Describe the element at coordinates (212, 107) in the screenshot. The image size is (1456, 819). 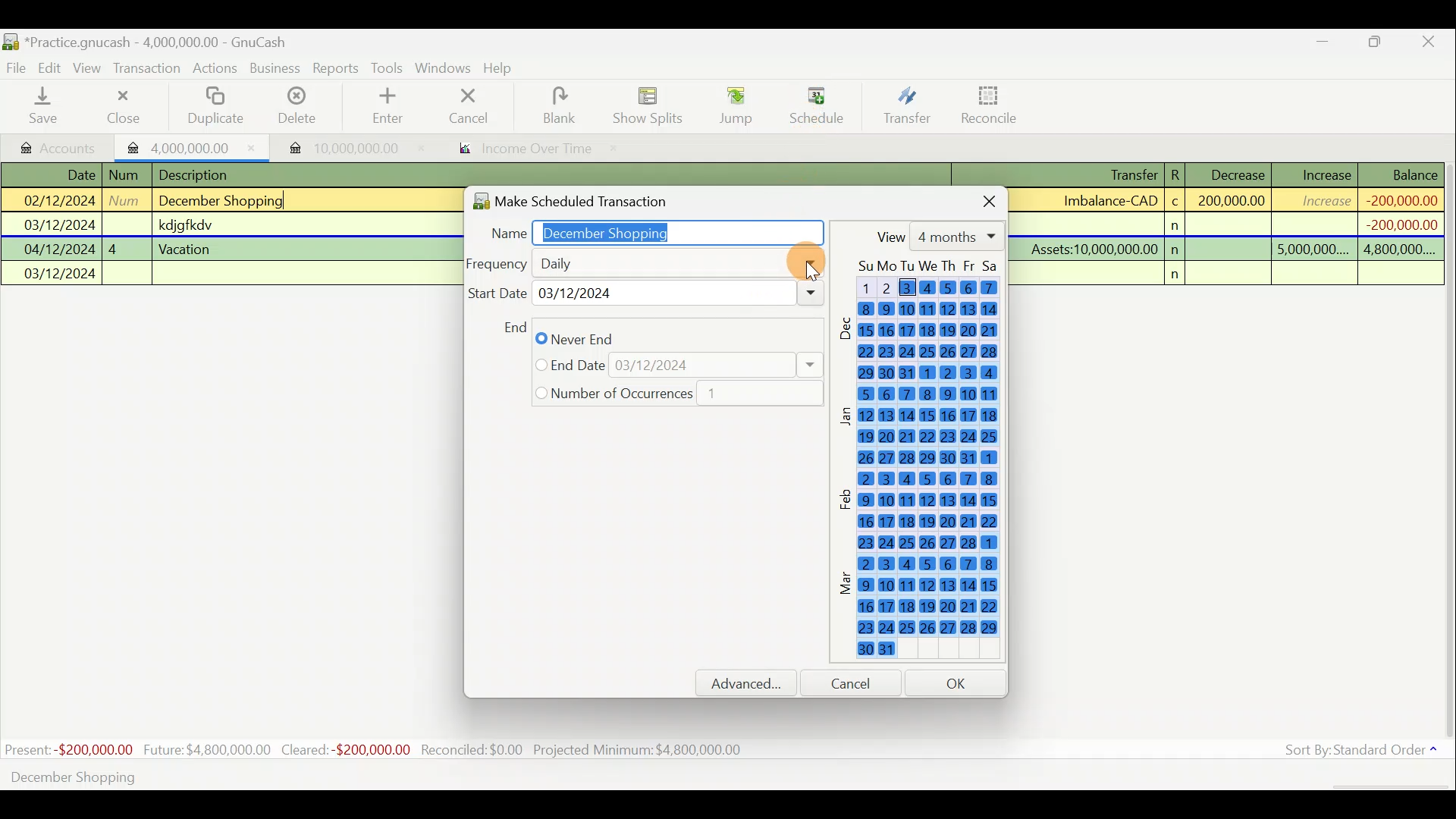
I see `Duplicate` at that location.